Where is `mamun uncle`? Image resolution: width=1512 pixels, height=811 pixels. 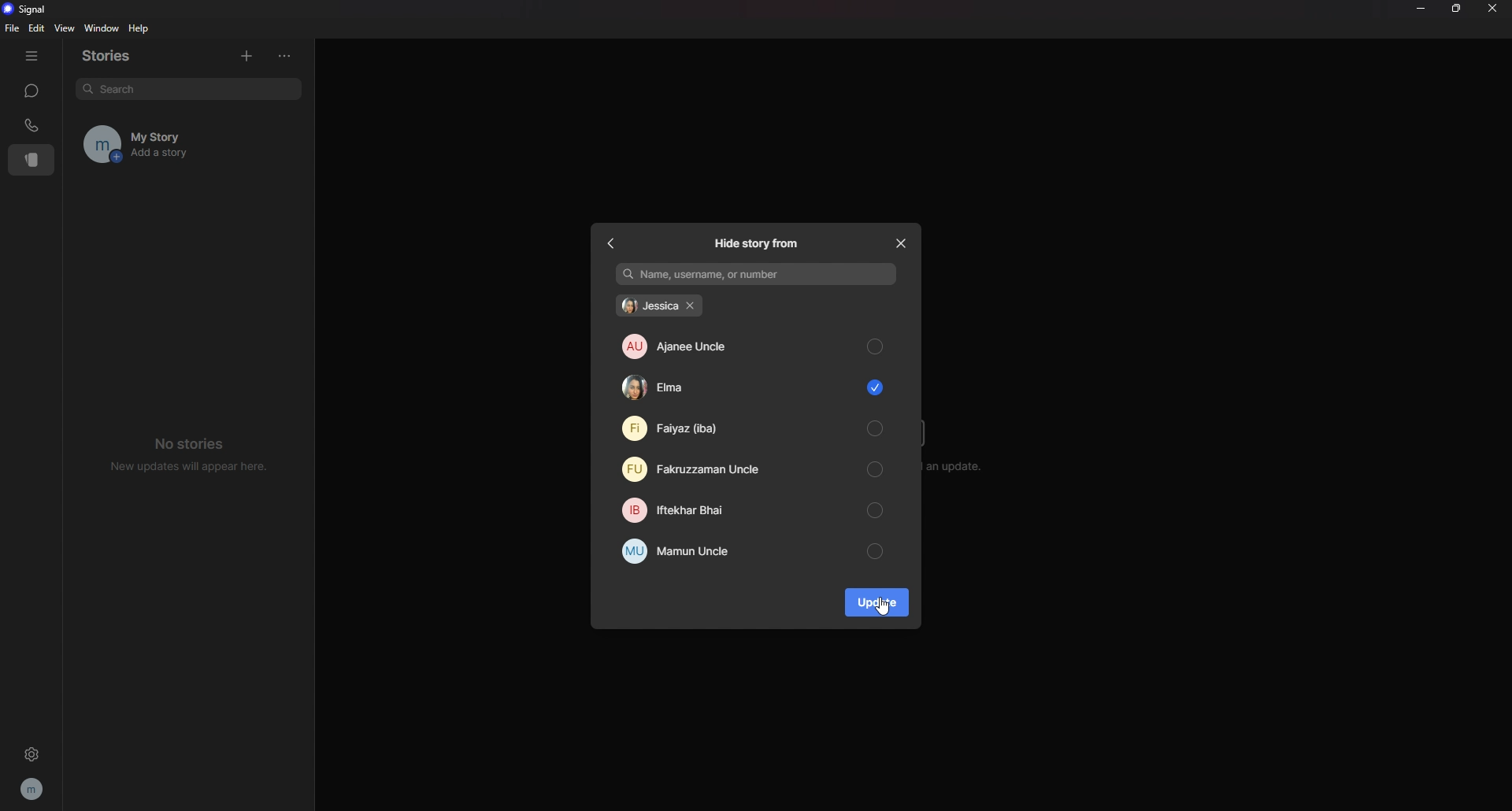
mamun uncle is located at coordinates (759, 549).